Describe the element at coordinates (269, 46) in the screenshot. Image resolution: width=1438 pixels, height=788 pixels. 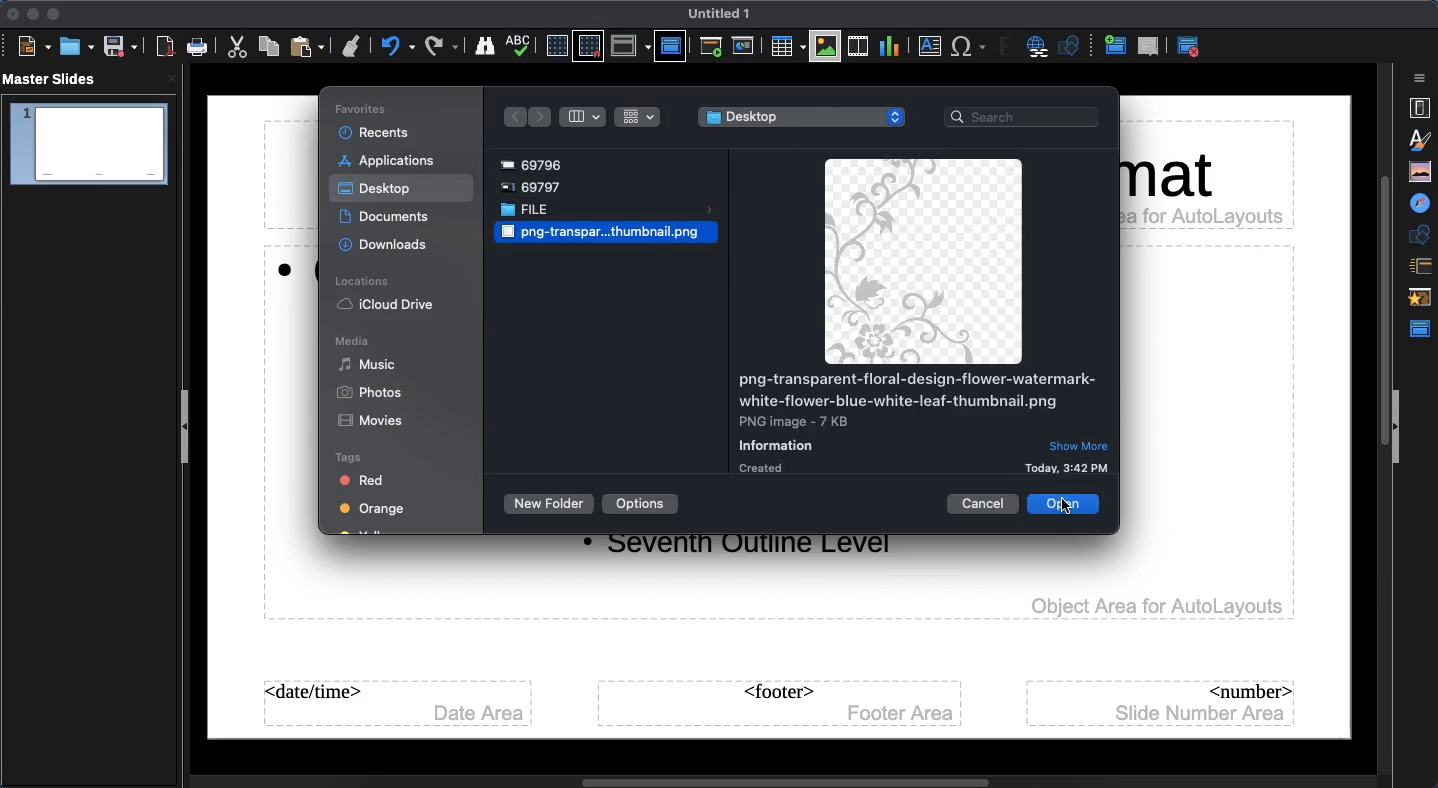
I see `Copy` at that location.